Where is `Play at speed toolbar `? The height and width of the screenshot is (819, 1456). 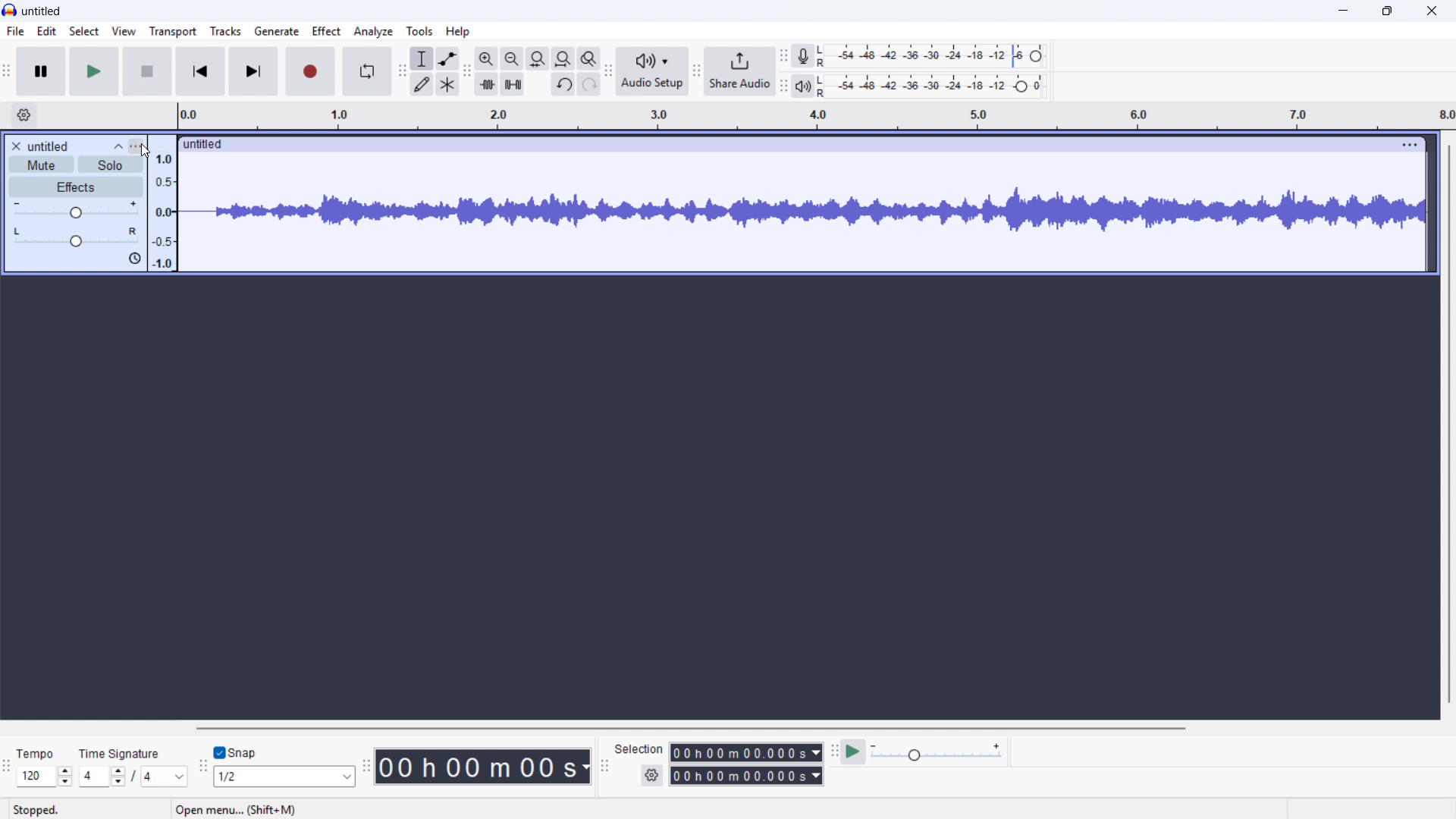
Play at speed toolbar  is located at coordinates (833, 750).